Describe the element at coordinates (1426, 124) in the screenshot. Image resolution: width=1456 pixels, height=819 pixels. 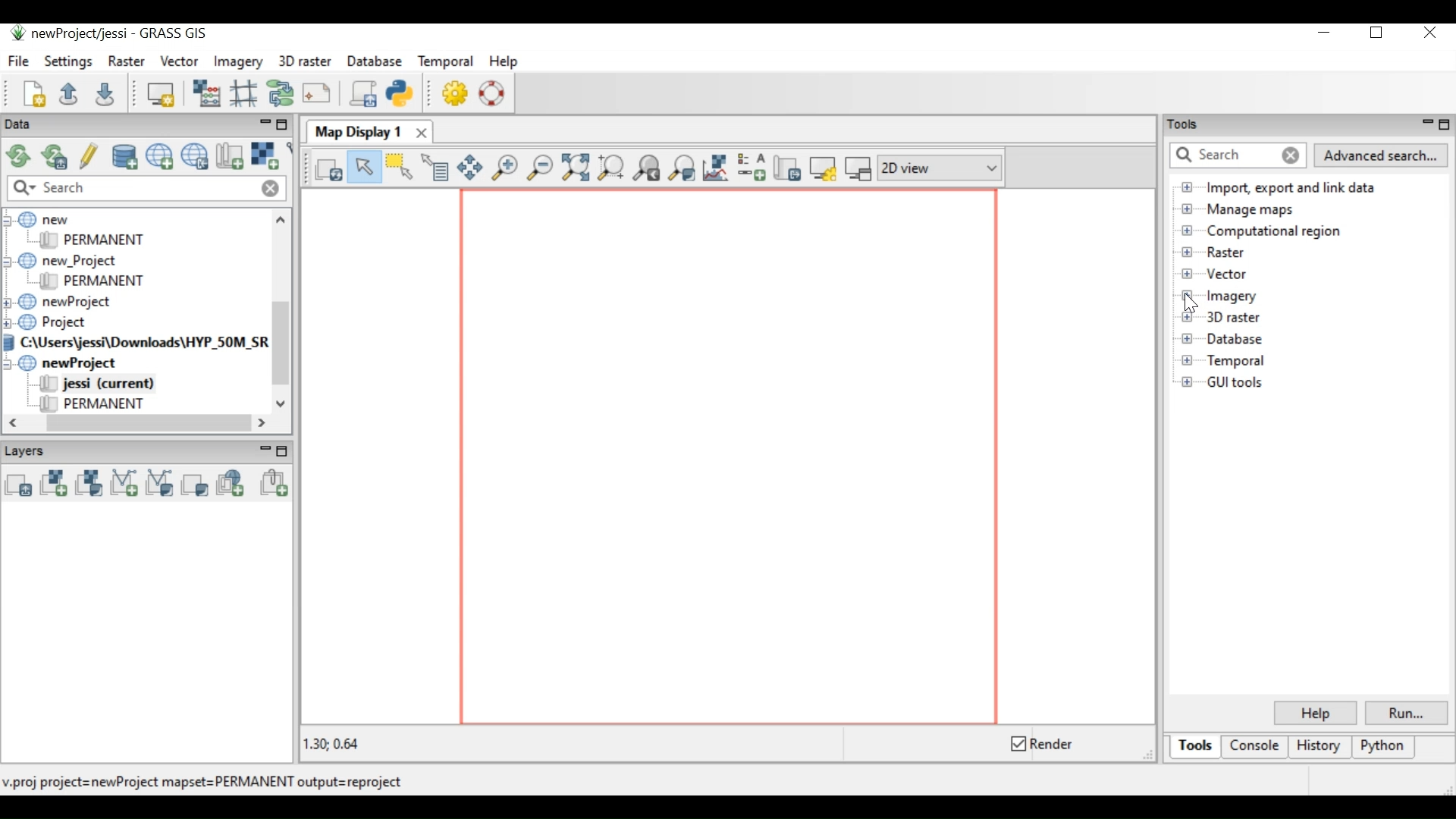
I see `Minimize` at that location.